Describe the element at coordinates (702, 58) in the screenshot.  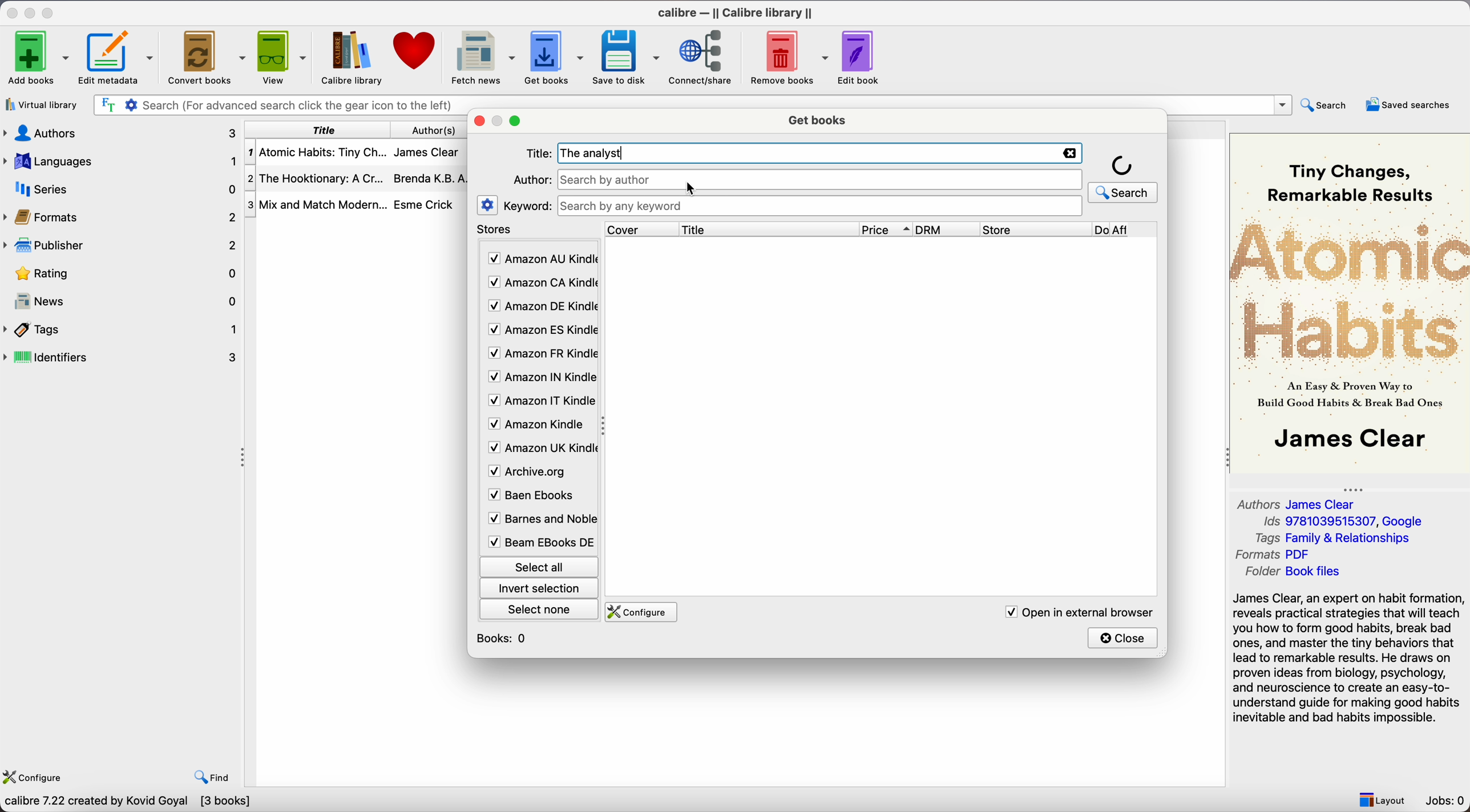
I see `connect/share` at that location.